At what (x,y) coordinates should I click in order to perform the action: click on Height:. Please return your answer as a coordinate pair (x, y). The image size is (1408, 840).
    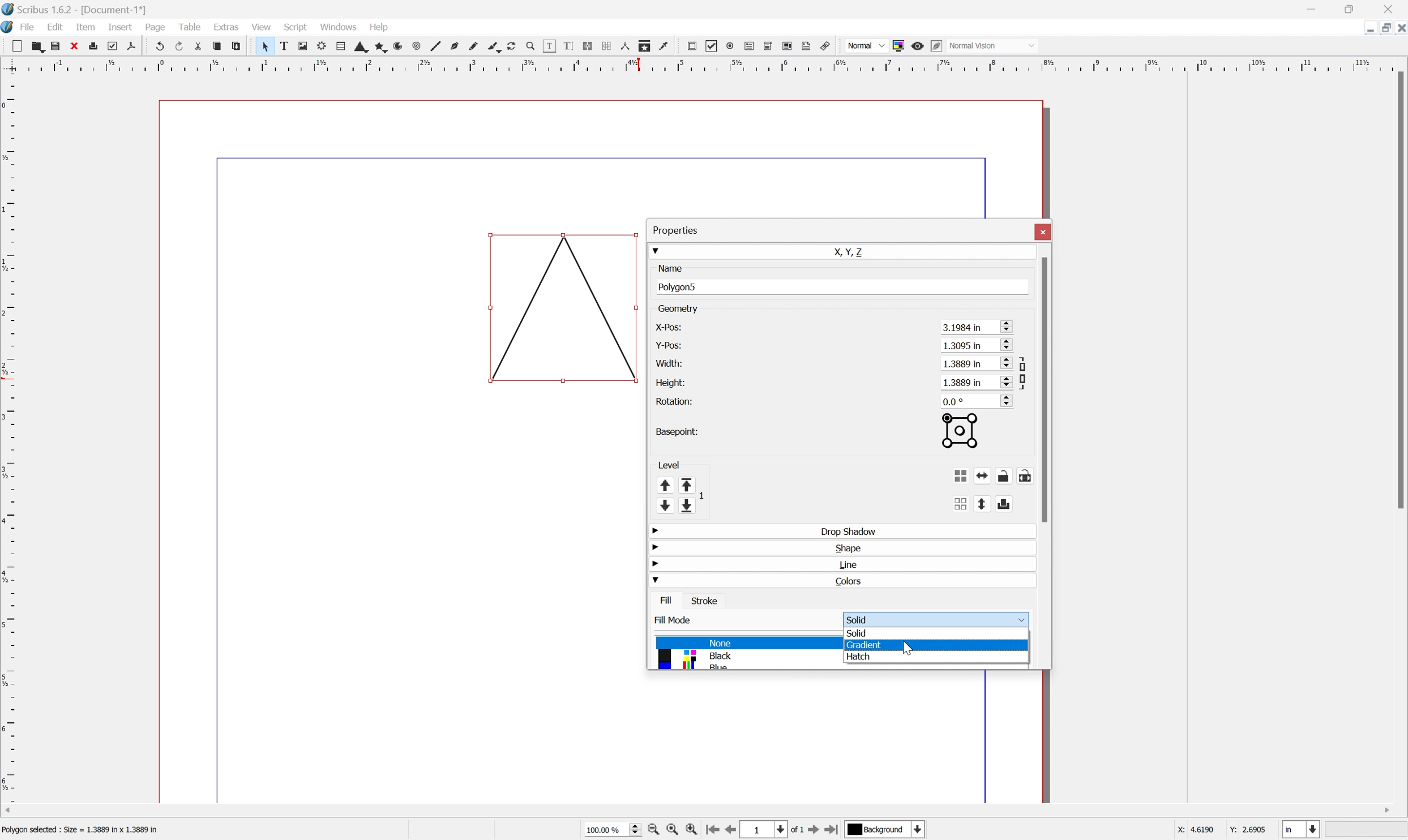
    Looking at the image, I should click on (671, 383).